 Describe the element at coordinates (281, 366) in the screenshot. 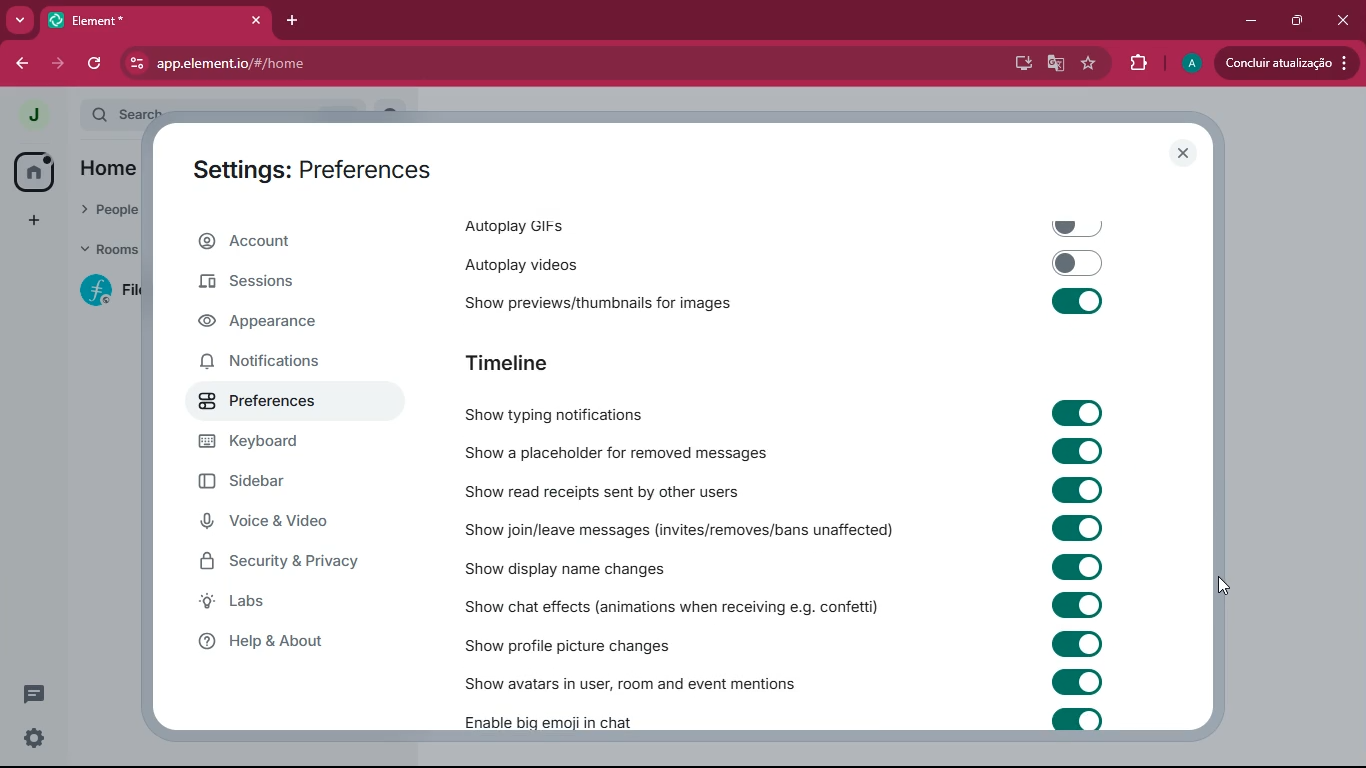

I see `notifications` at that location.